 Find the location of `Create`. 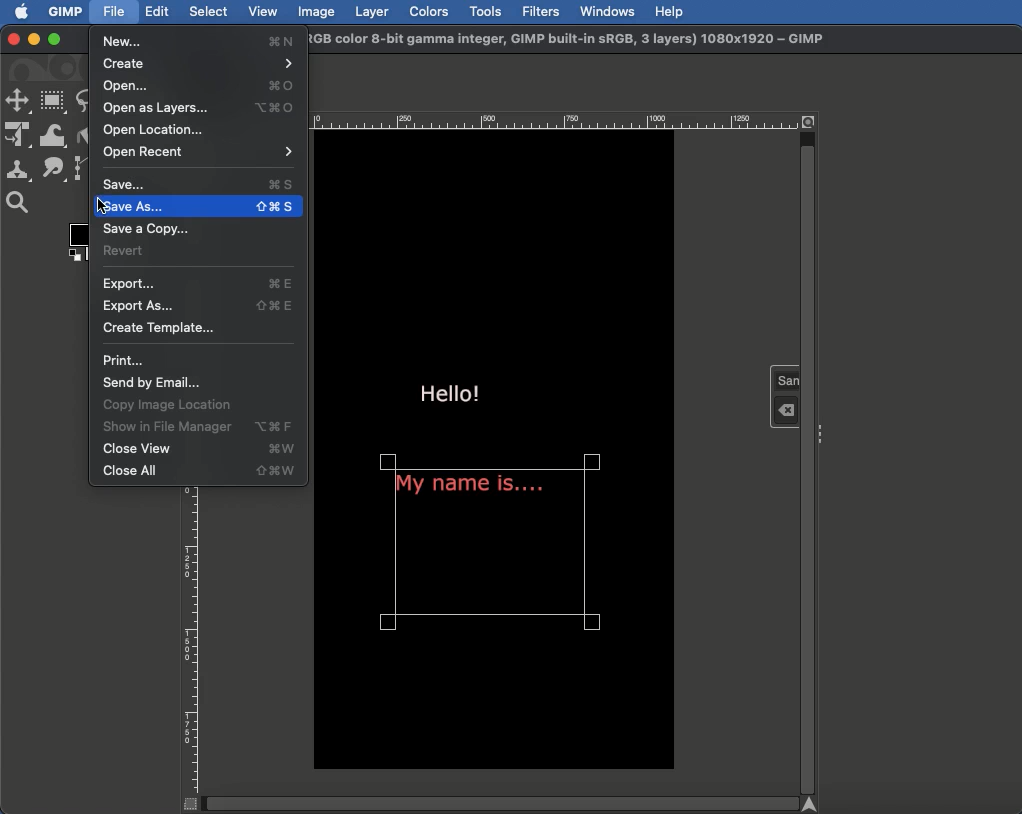

Create is located at coordinates (198, 63).